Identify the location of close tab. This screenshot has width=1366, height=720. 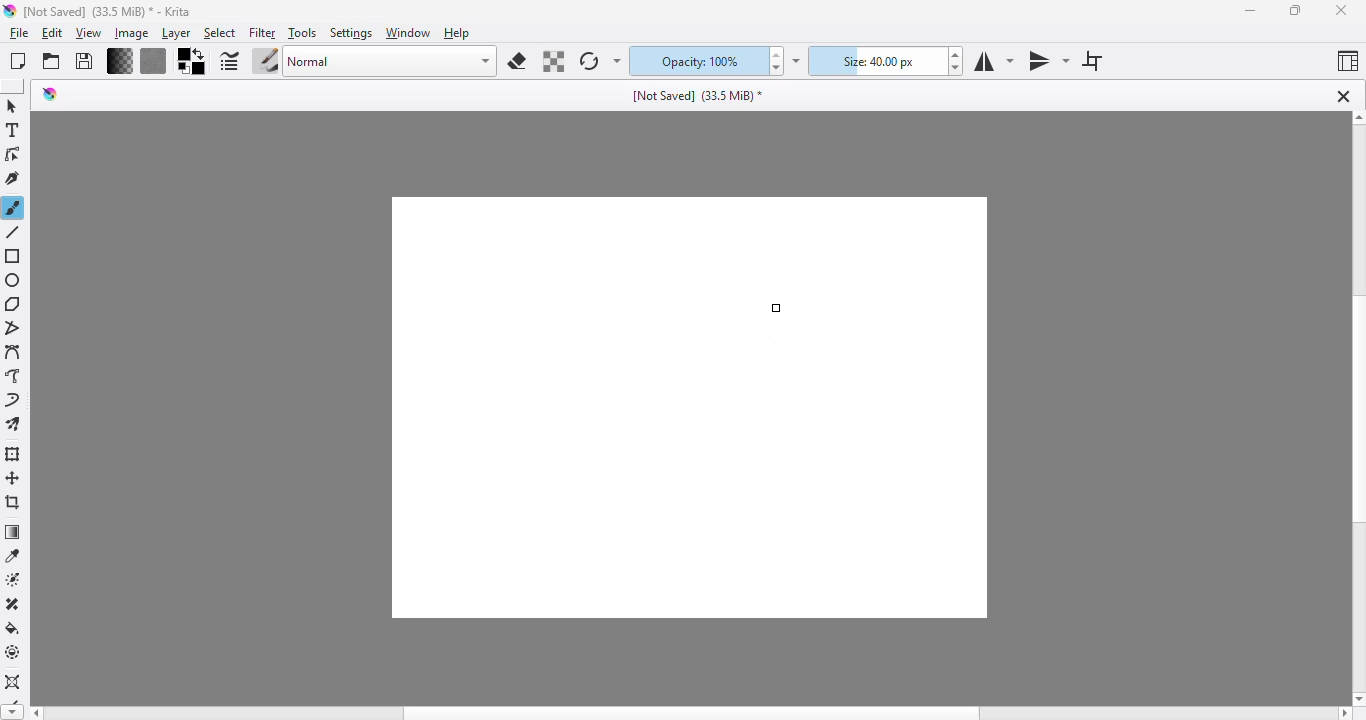
(1343, 96).